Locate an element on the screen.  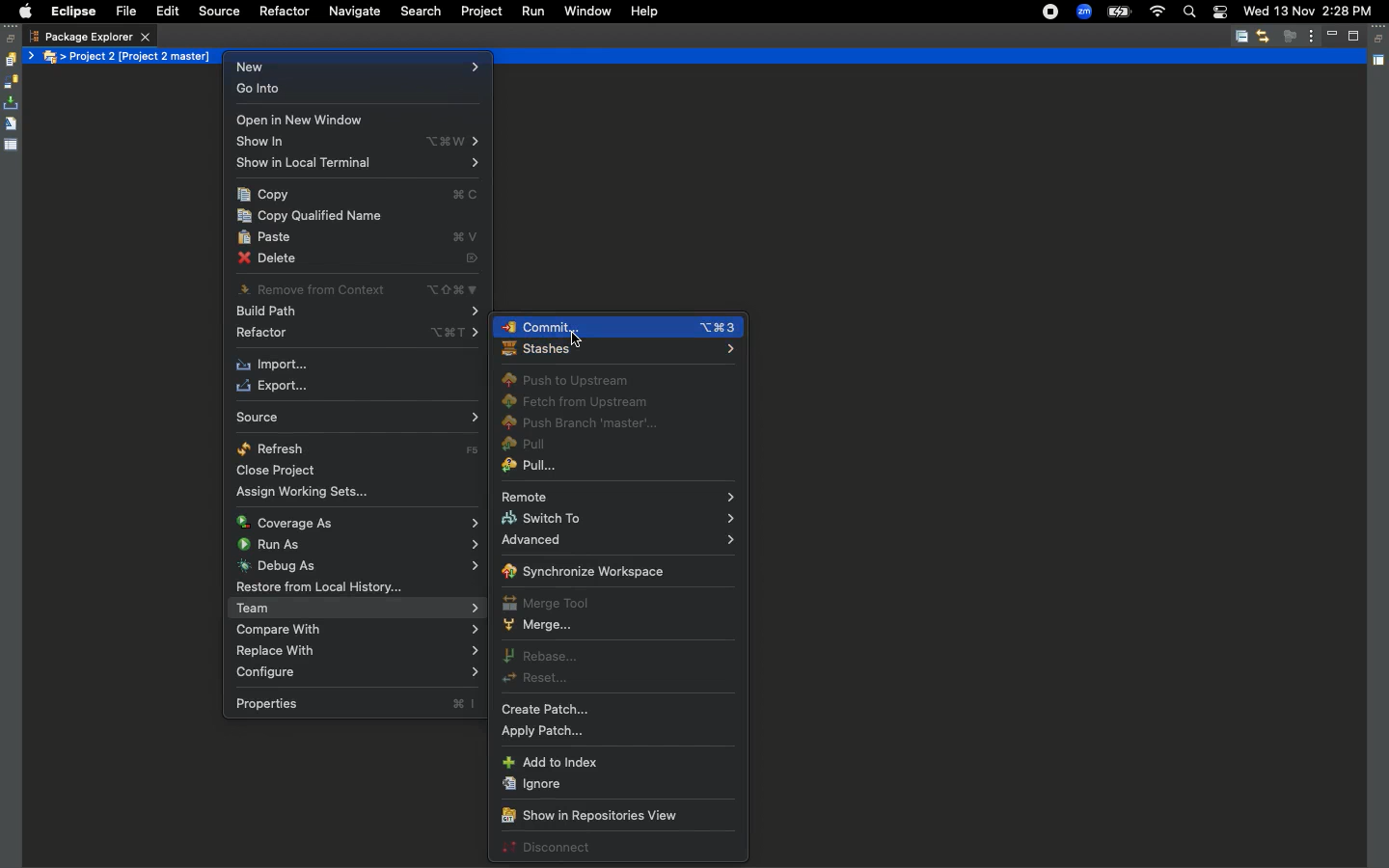
Source is located at coordinates (358, 416).